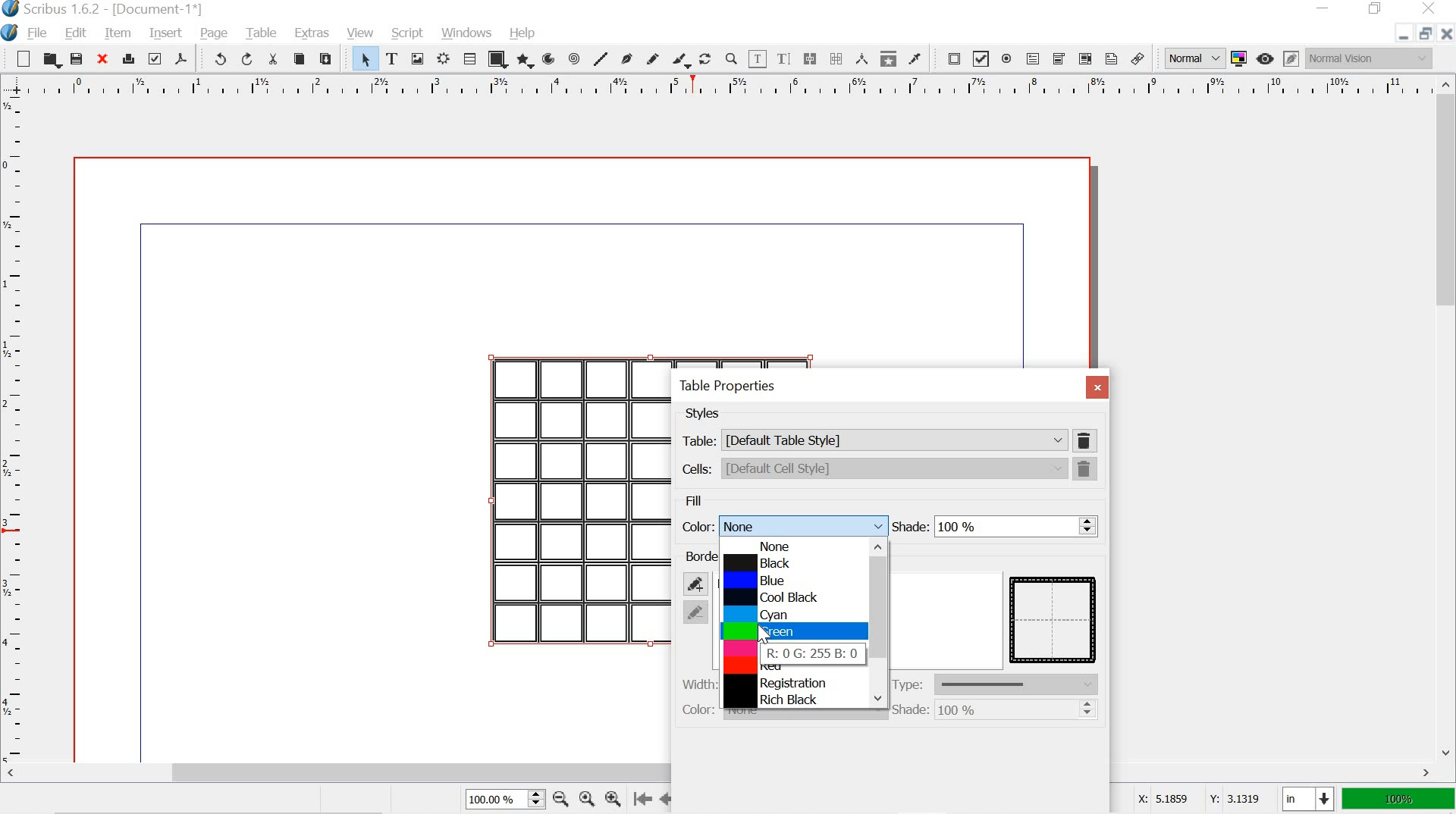 The width and height of the screenshot is (1456, 814). Describe the element at coordinates (1397, 36) in the screenshot. I see `minimize` at that location.